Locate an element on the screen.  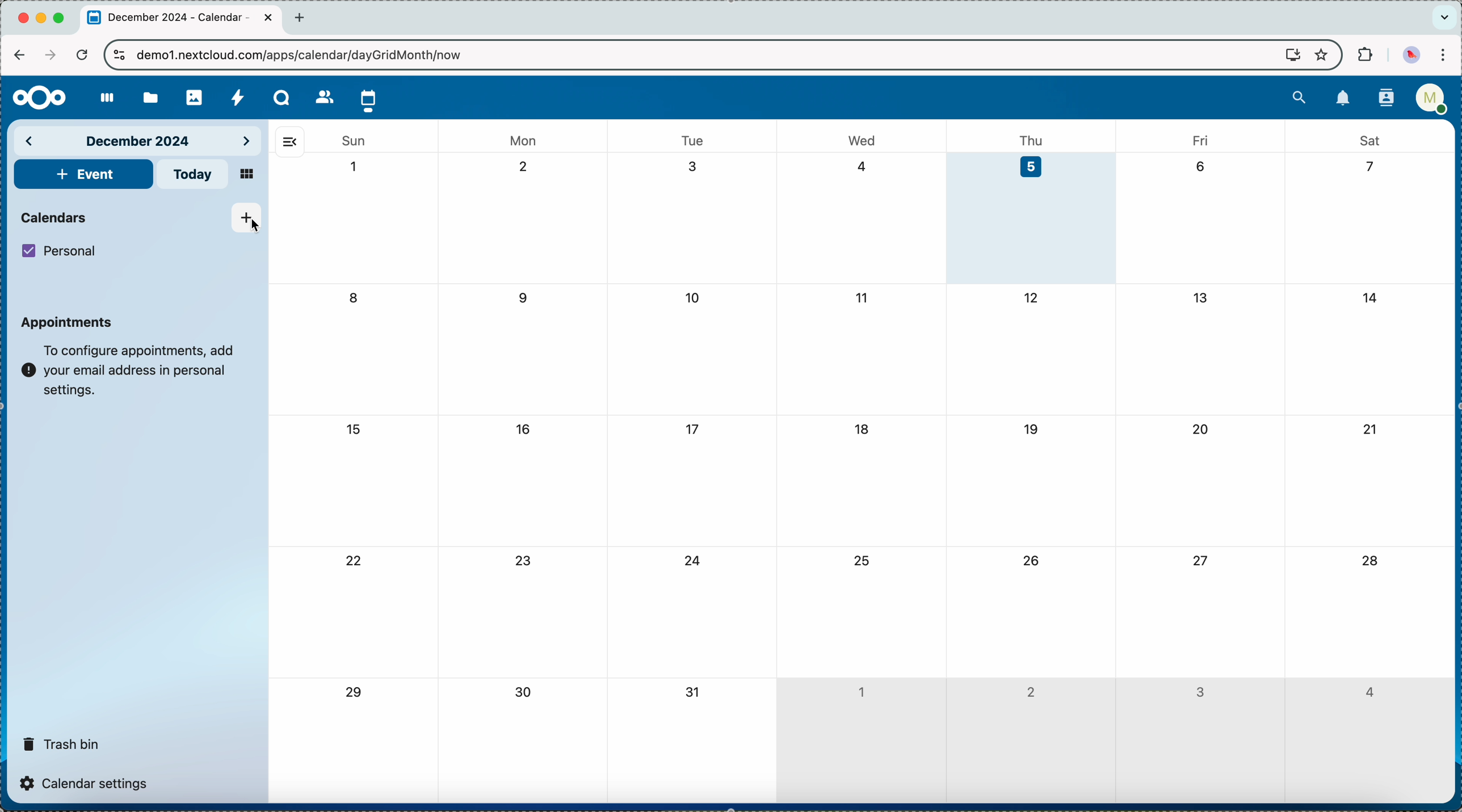
activity is located at coordinates (238, 97).